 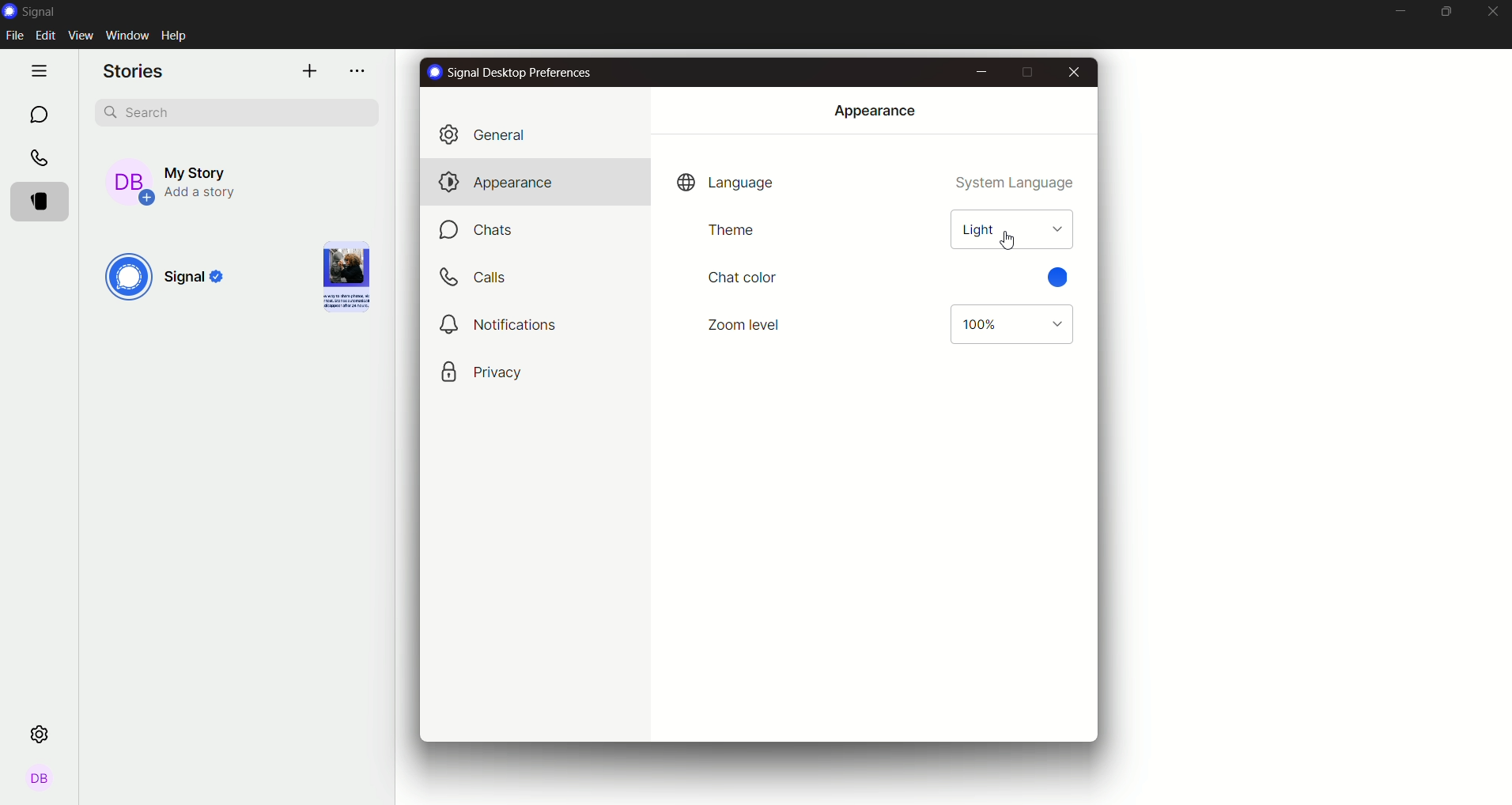 What do you see at coordinates (482, 372) in the screenshot?
I see `privacy` at bounding box center [482, 372].